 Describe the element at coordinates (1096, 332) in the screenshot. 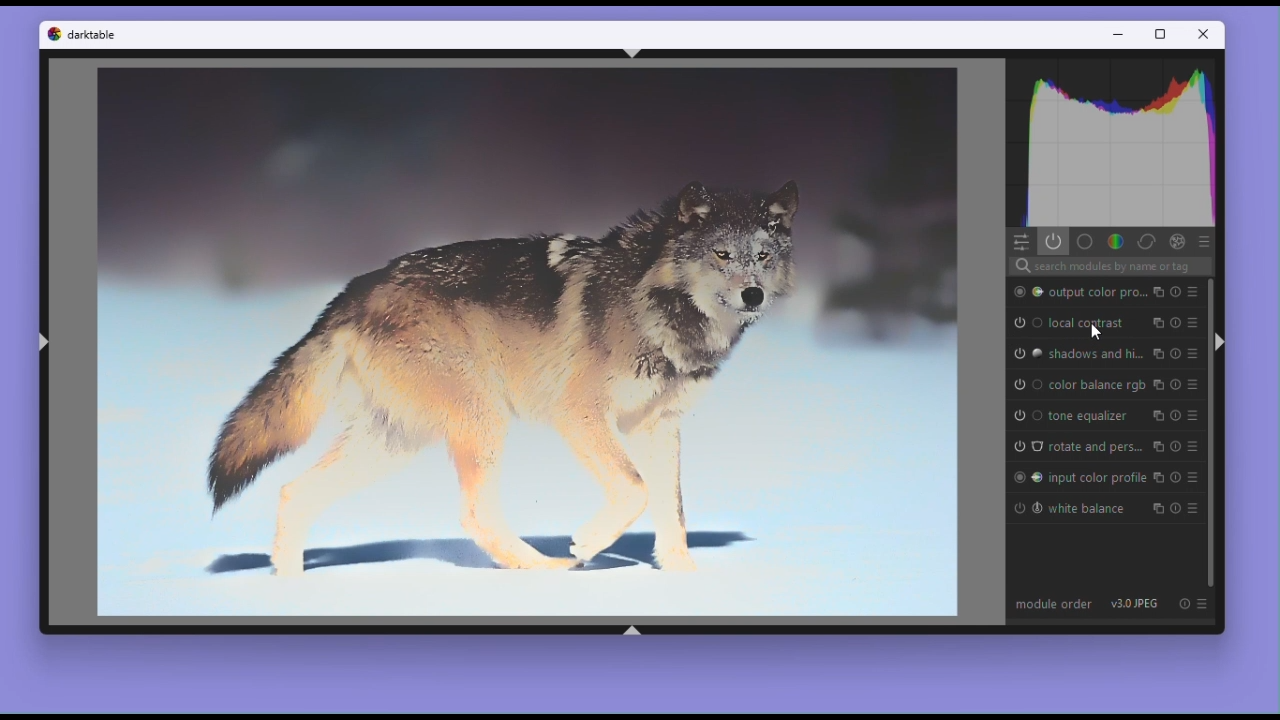

I see `cursor` at that location.